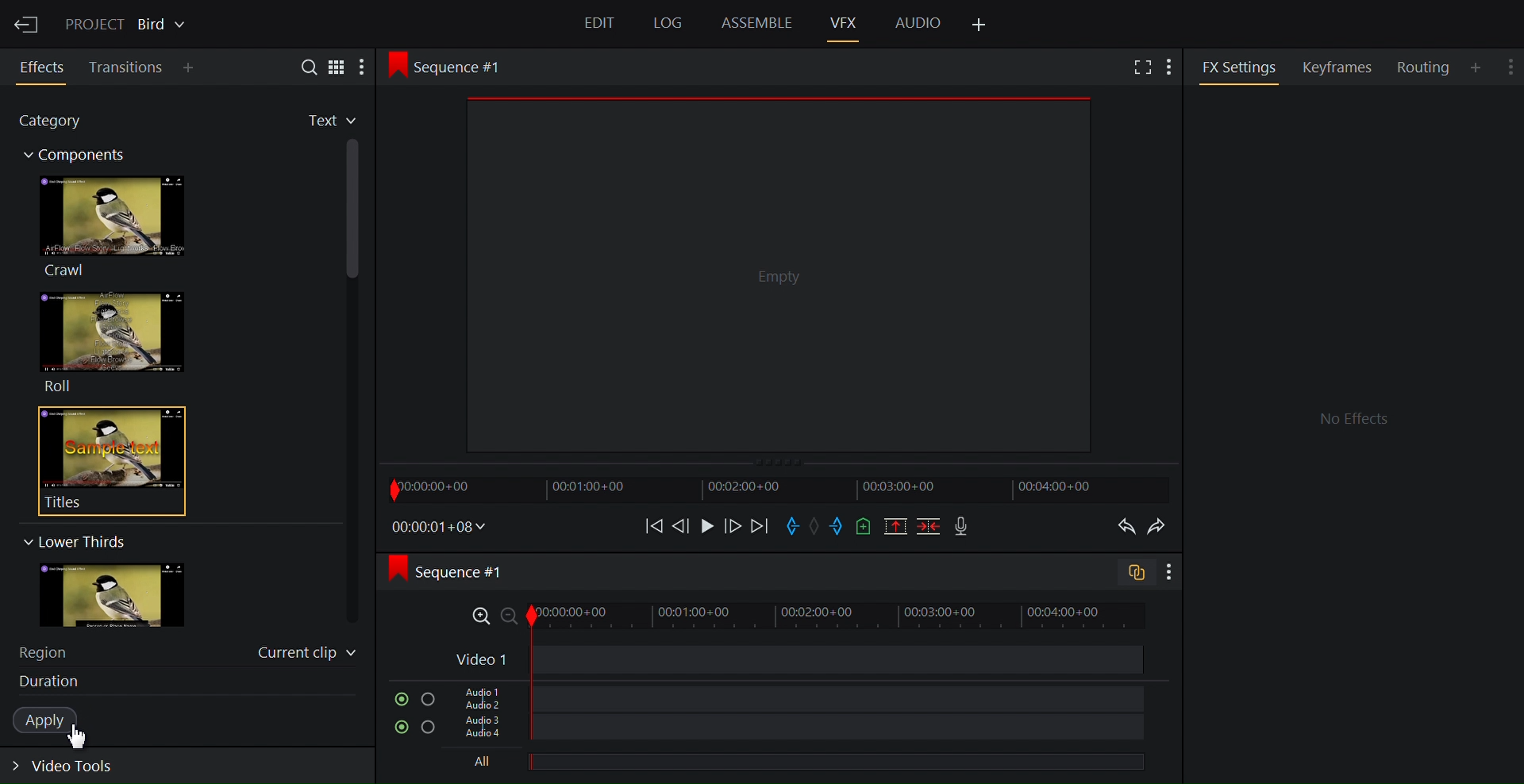 Image resolution: width=1524 pixels, height=784 pixels. Describe the element at coordinates (779, 275) in the screenshot. I see `Media Viewer` at that location.